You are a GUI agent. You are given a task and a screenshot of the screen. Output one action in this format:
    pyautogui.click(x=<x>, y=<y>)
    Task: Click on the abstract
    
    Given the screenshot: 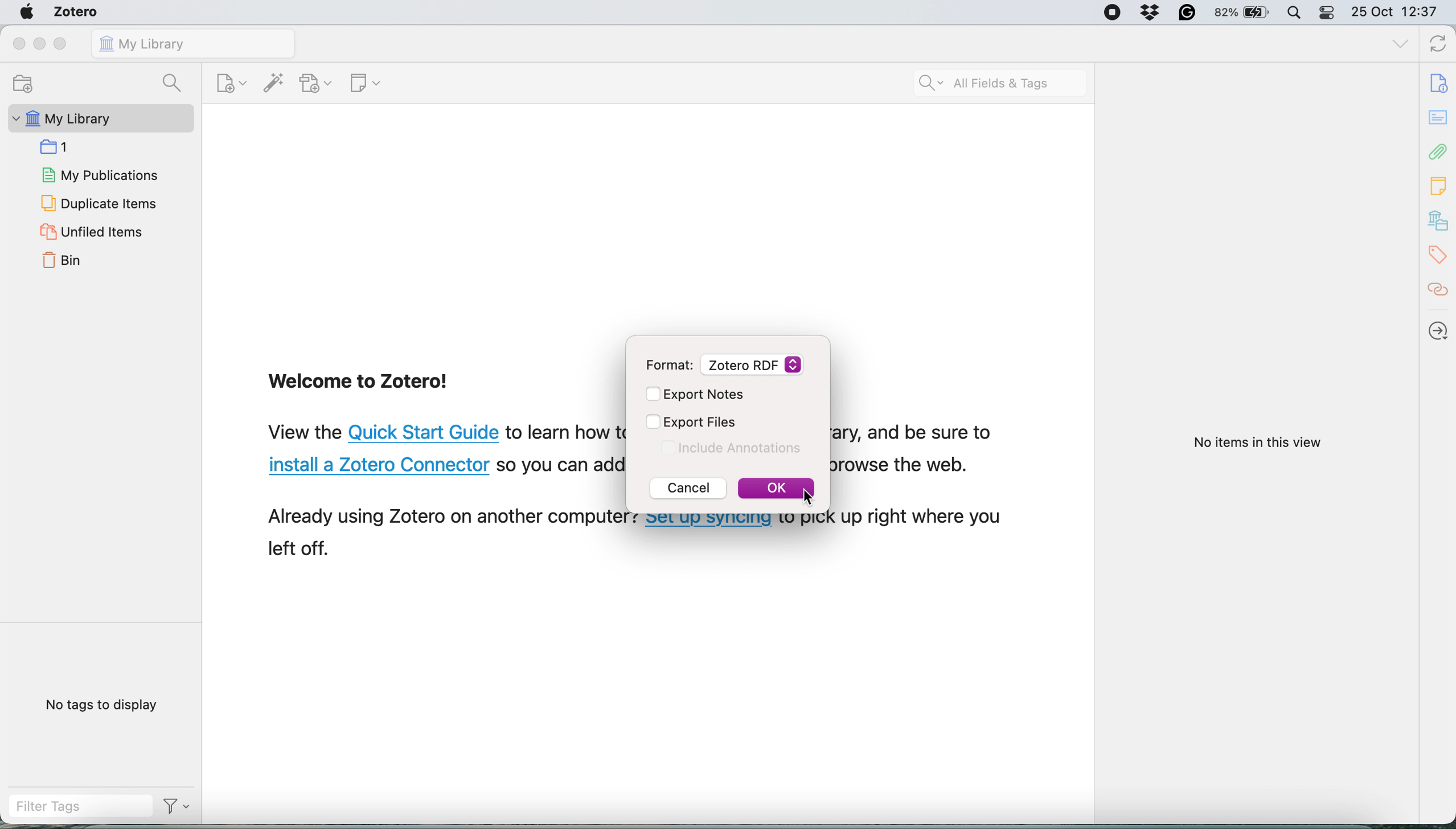 What is the action you would take?
    pyautogui.click(x=1439, y=117)
    